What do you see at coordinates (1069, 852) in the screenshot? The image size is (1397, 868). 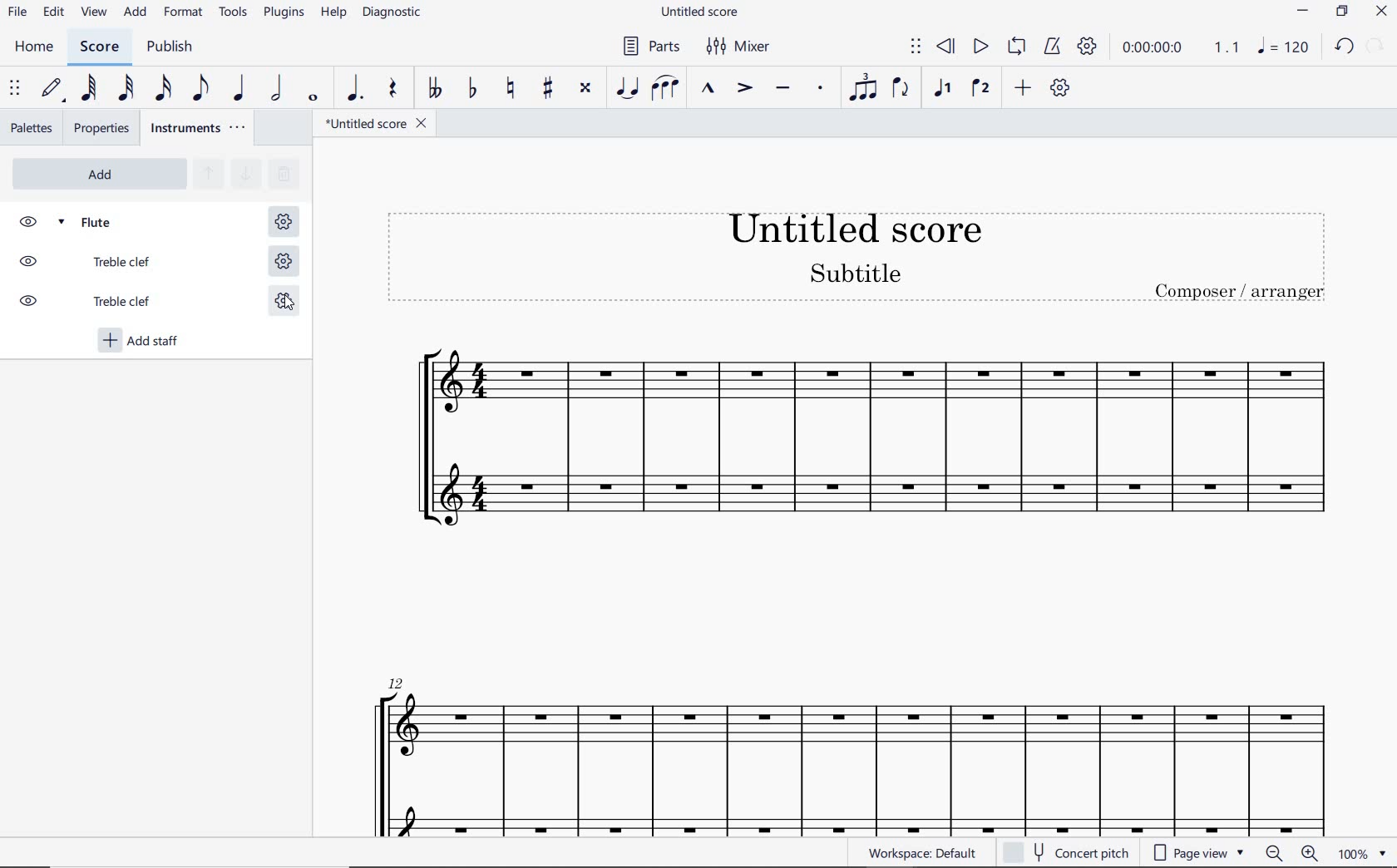 I see `concert pitch` at bounding box center [1069, 852].